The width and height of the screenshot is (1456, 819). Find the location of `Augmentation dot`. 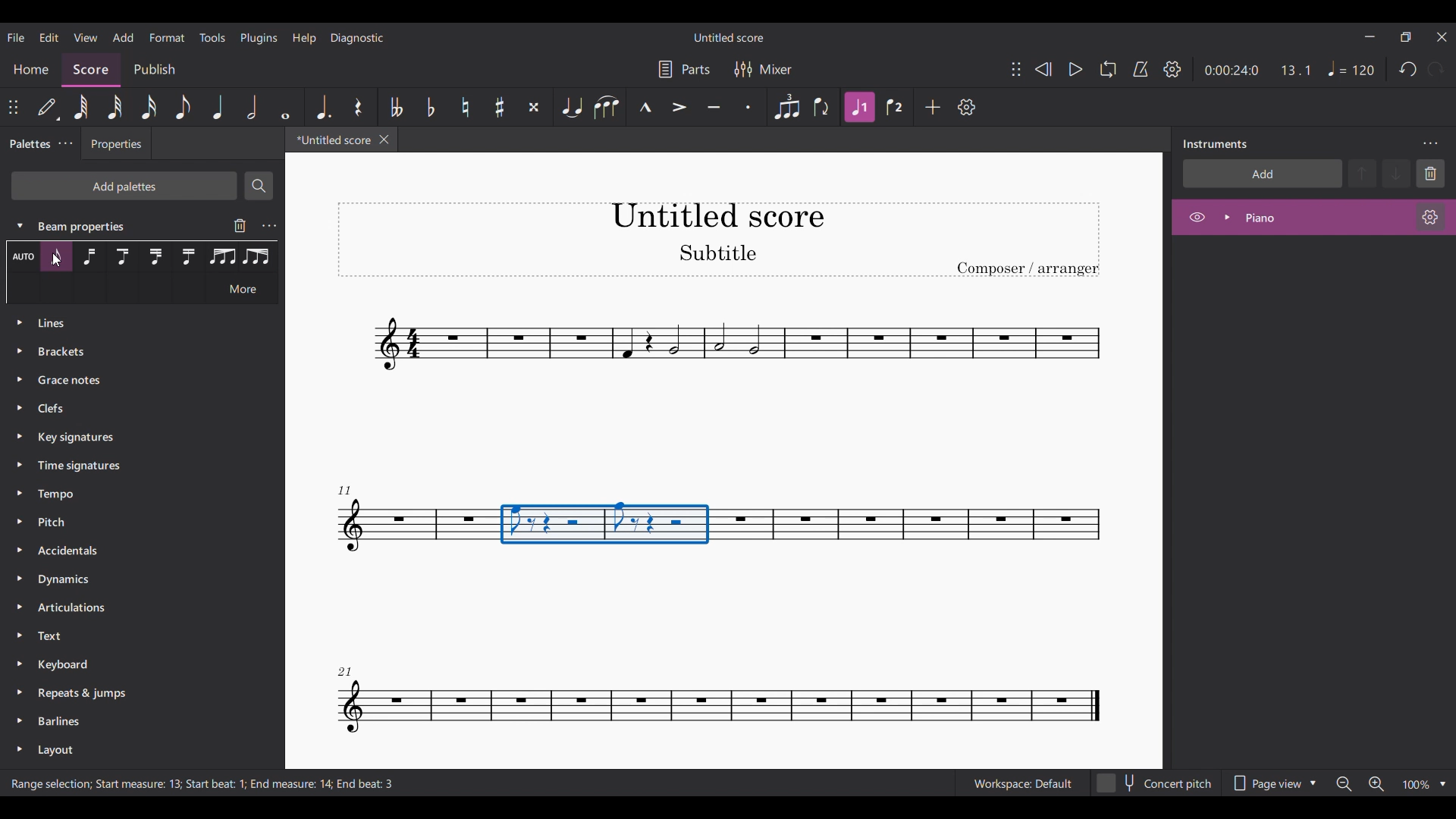

Augmentation dot is located at coordinates (322, 107).